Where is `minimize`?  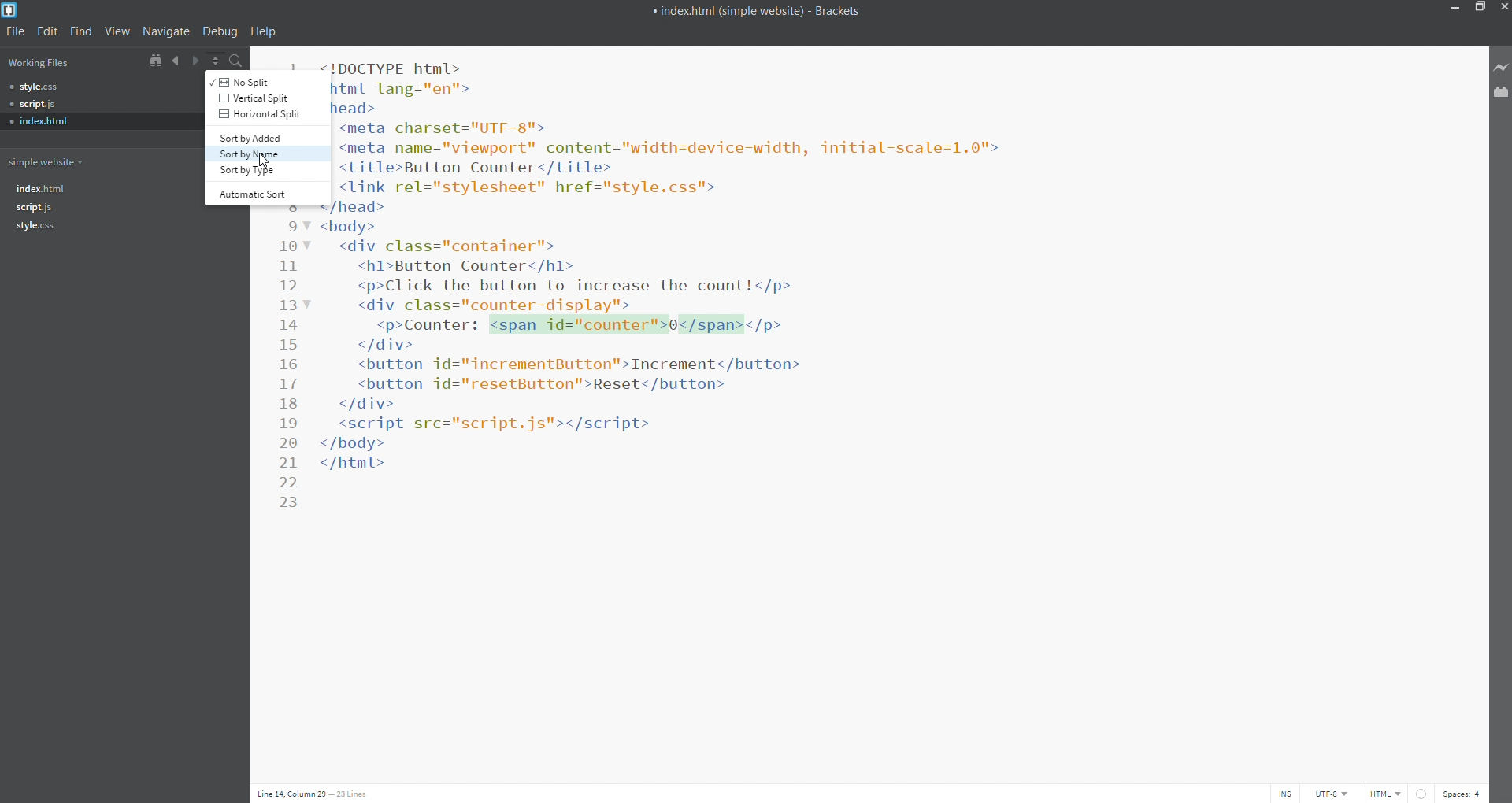
minimize is located at coordinates (1449, 9).